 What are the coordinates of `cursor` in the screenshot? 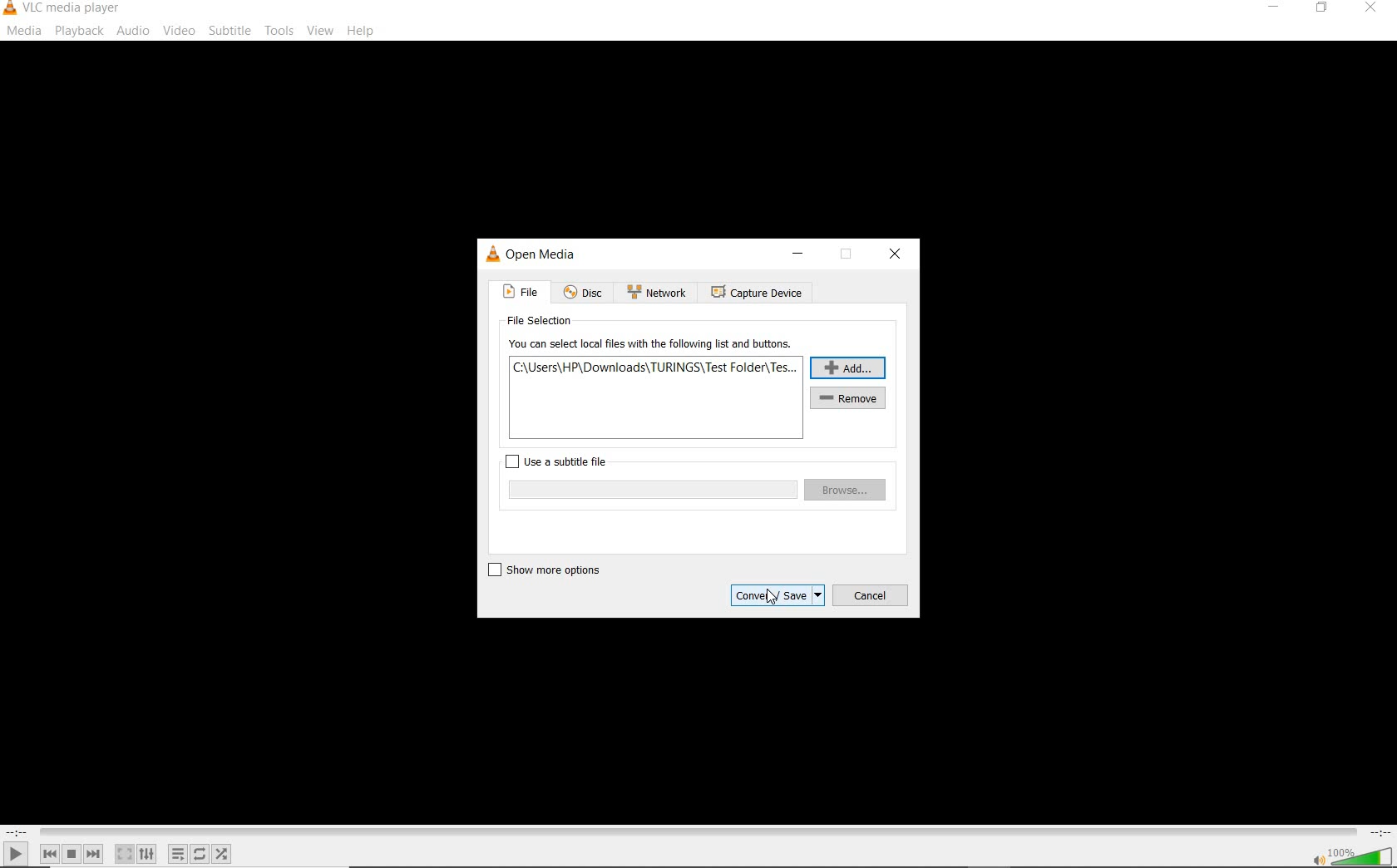 It's located at (773, 596).